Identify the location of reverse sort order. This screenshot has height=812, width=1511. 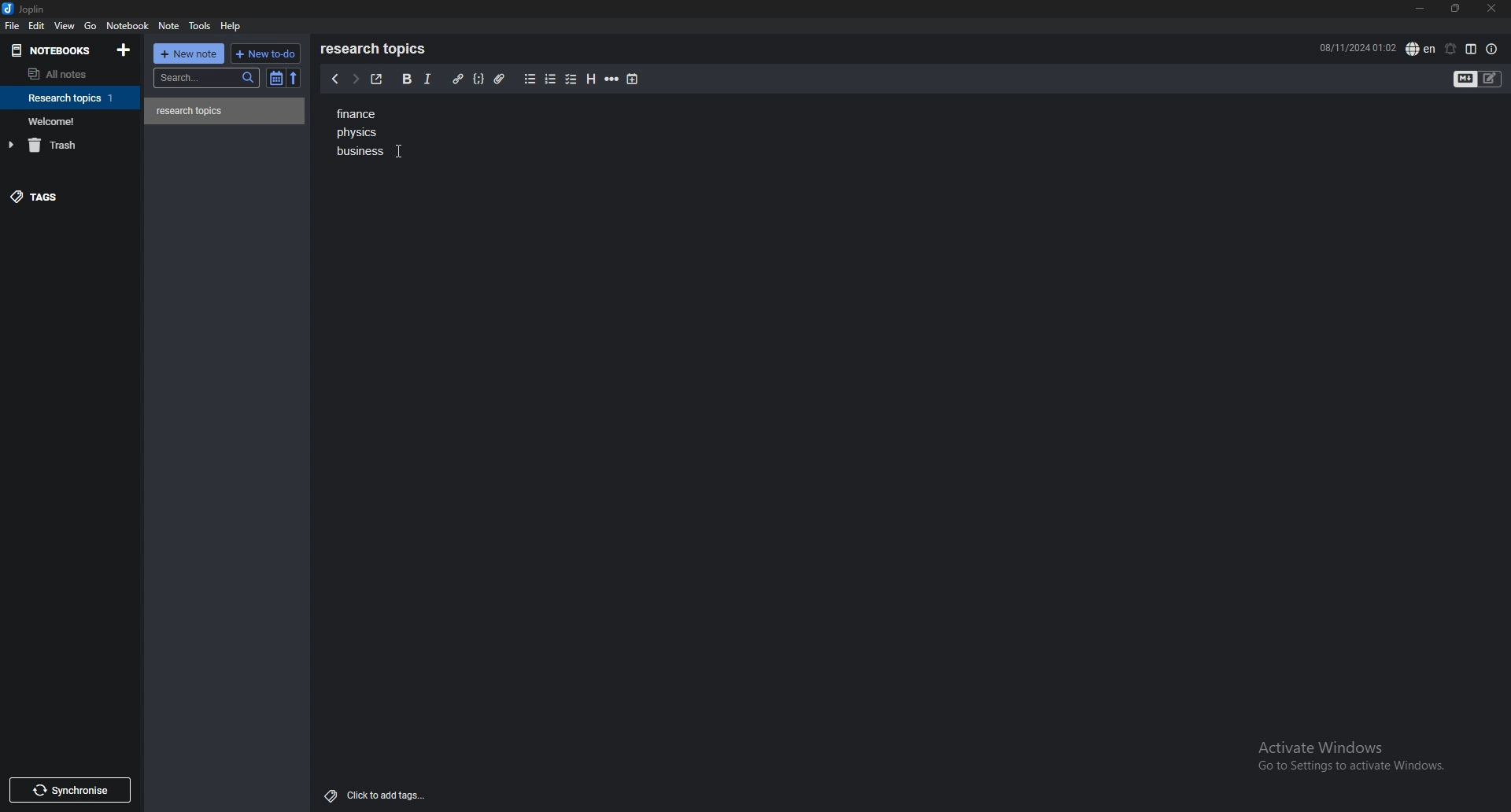
(293, 78).